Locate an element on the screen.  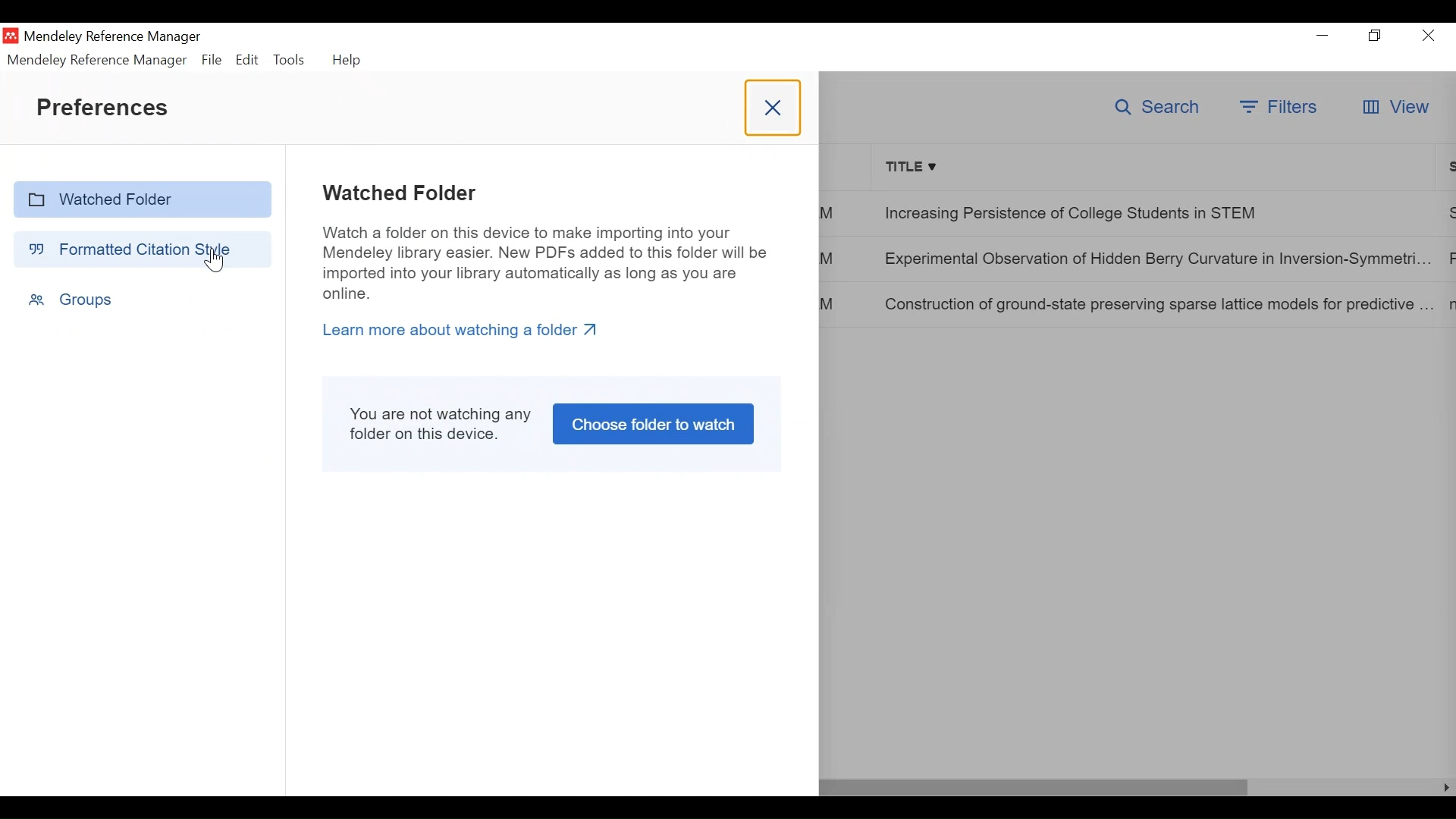
View is located at coordinates (1395, 108).